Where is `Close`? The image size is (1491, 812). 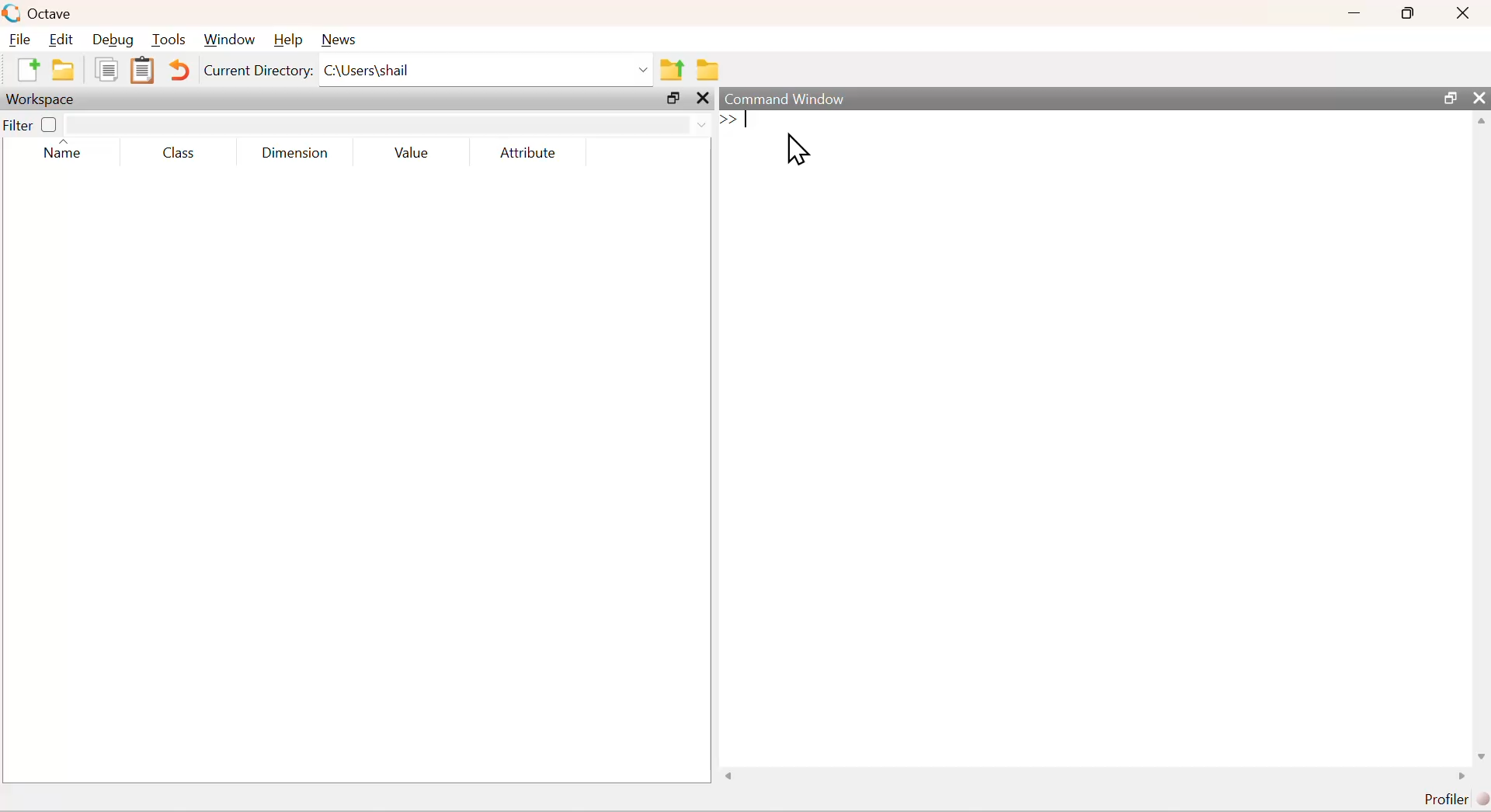 Close is located at coordinates (1480, 99).